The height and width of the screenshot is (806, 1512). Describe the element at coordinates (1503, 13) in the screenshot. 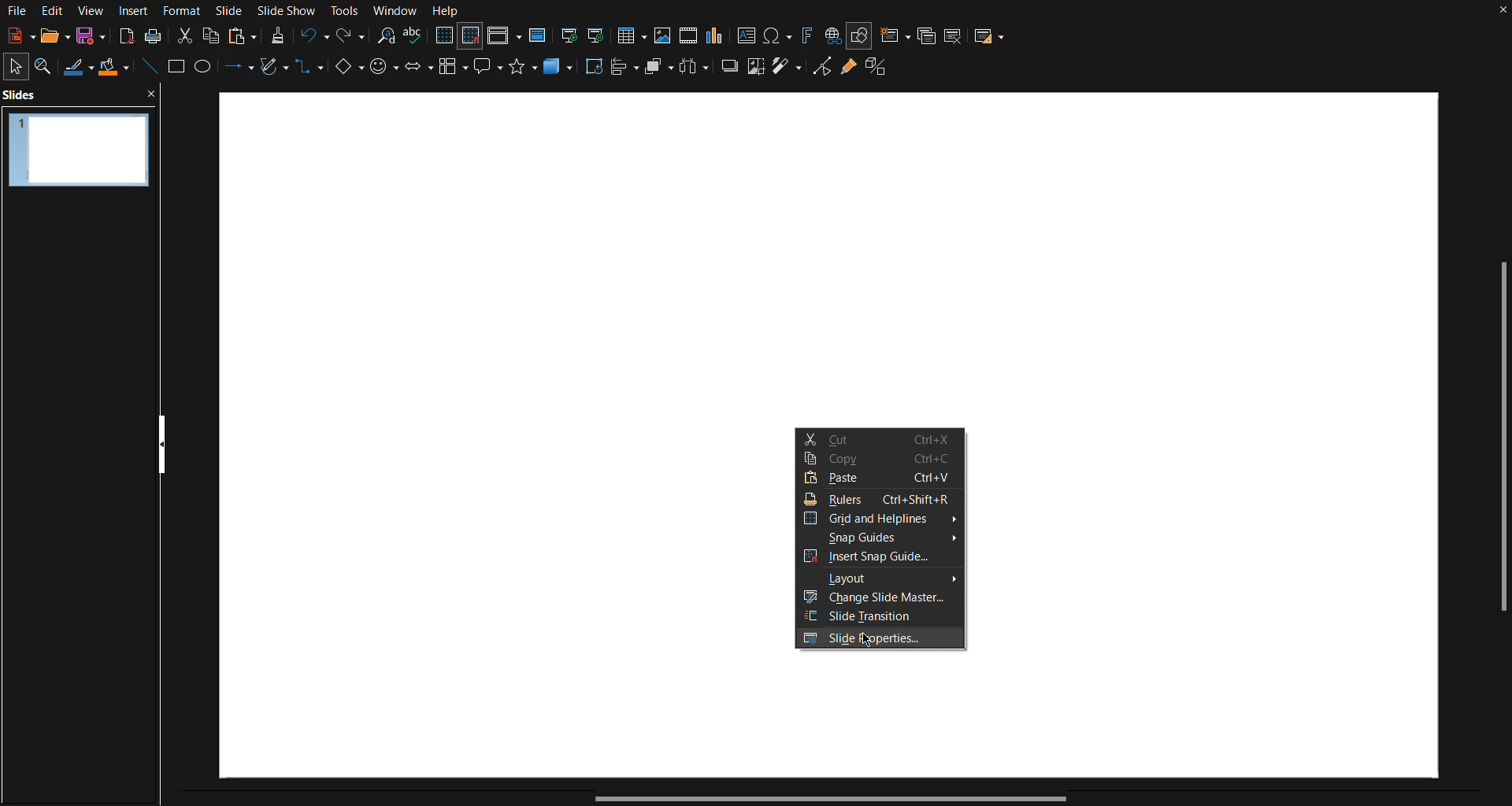

I see `Close` at that location.